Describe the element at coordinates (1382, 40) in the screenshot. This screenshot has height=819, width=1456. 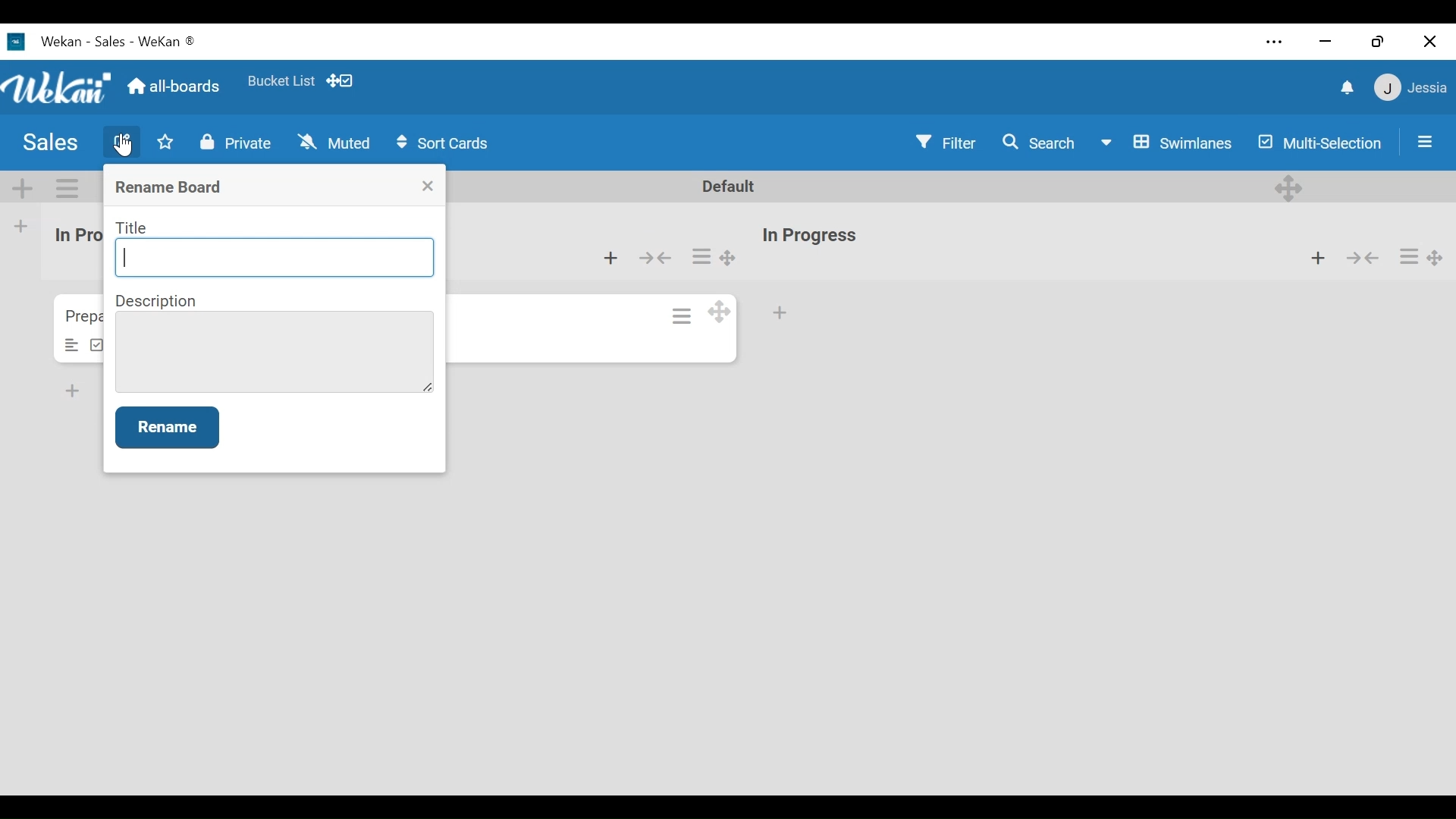
I see `Restore` at that location.